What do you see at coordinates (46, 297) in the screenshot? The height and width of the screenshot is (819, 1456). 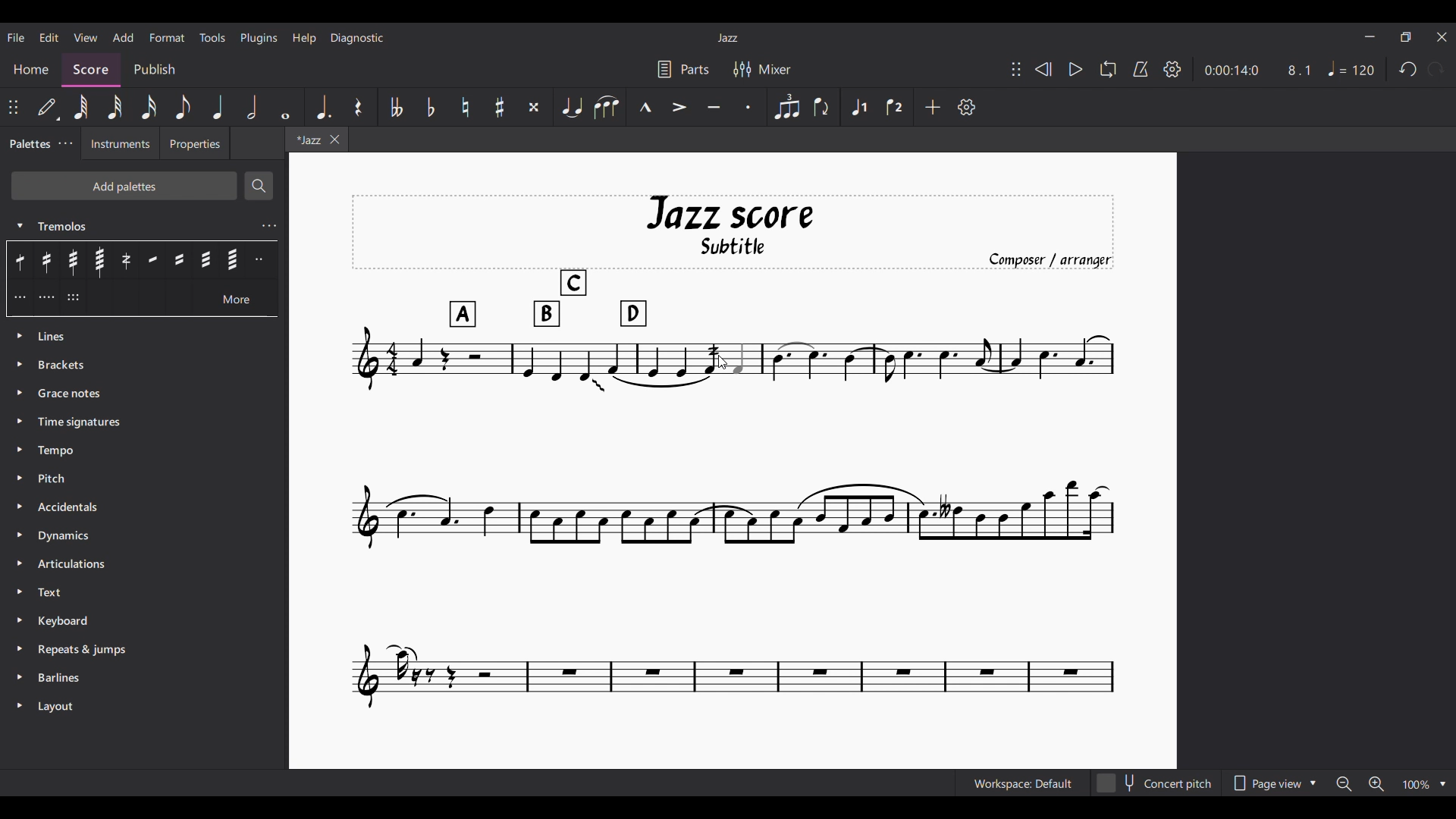 I see `Divide measured Tremolo by 4` at bounding box center [46, 297].